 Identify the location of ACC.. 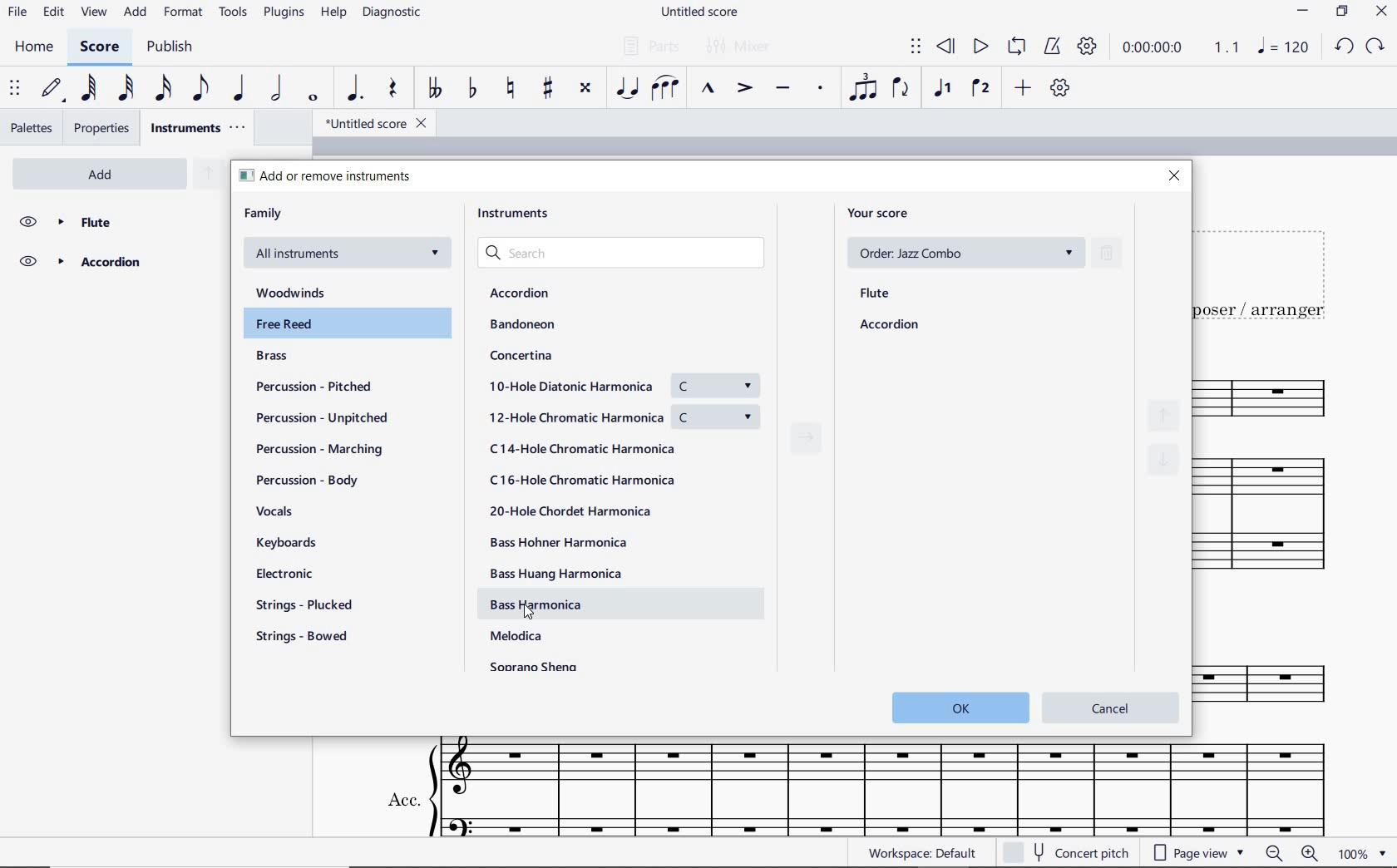
(854, 788).